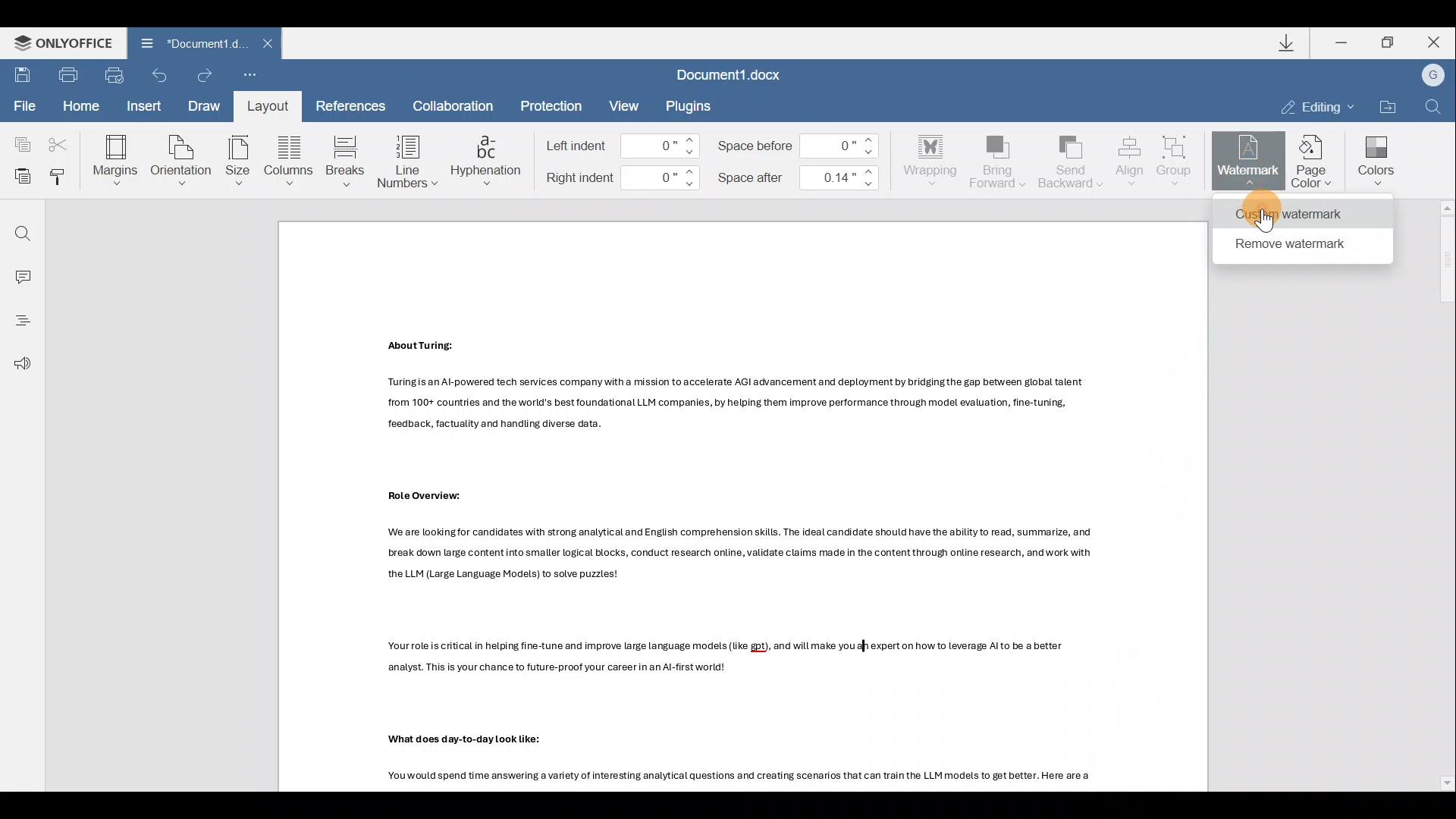 This screenshot has height=819, width=1456. Describe the element at coordinates (617, 145) in the screenshot. I see `Left indent` at that location.